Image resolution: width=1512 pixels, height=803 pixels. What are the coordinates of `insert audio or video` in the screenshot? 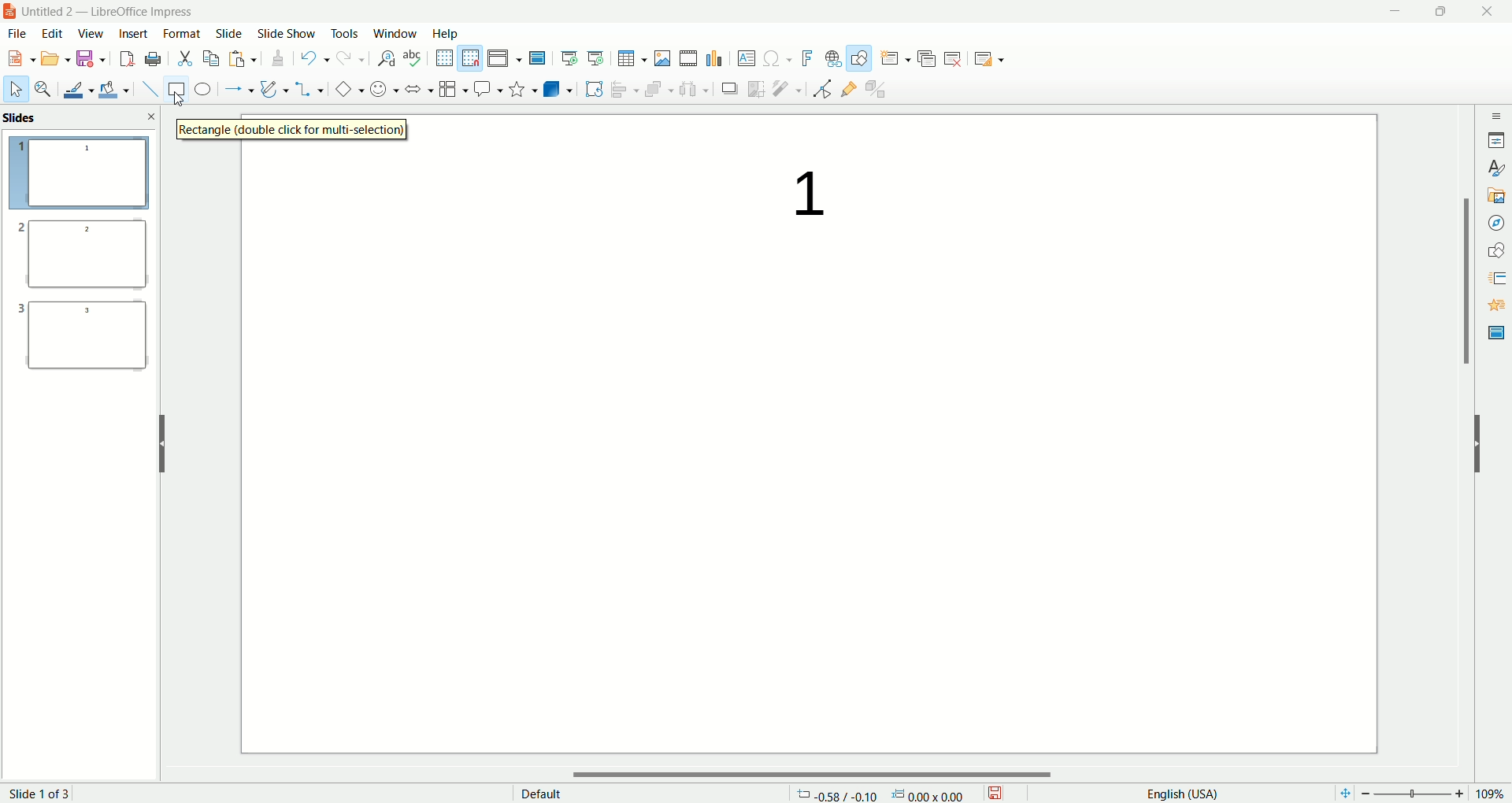 It's located at (688, 58).